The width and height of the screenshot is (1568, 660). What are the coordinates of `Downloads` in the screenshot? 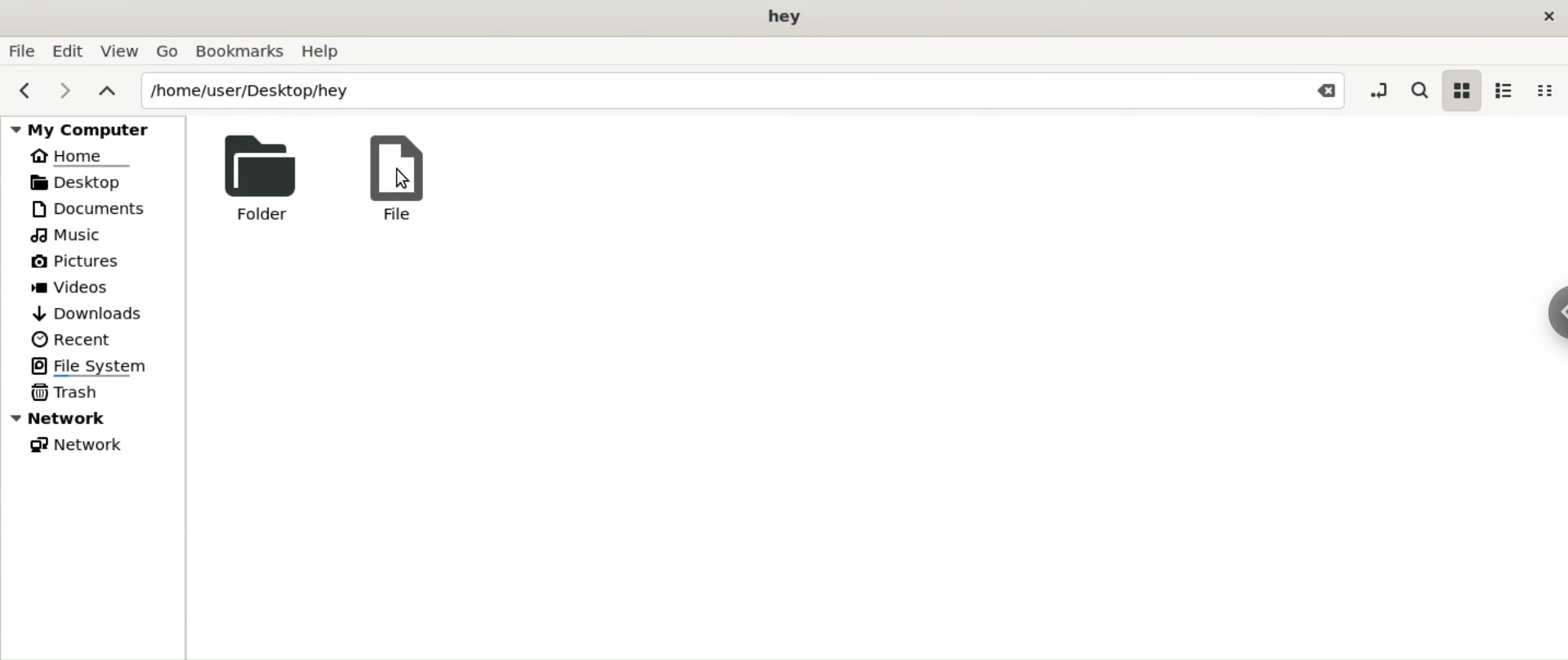 It's located at (83, 312).